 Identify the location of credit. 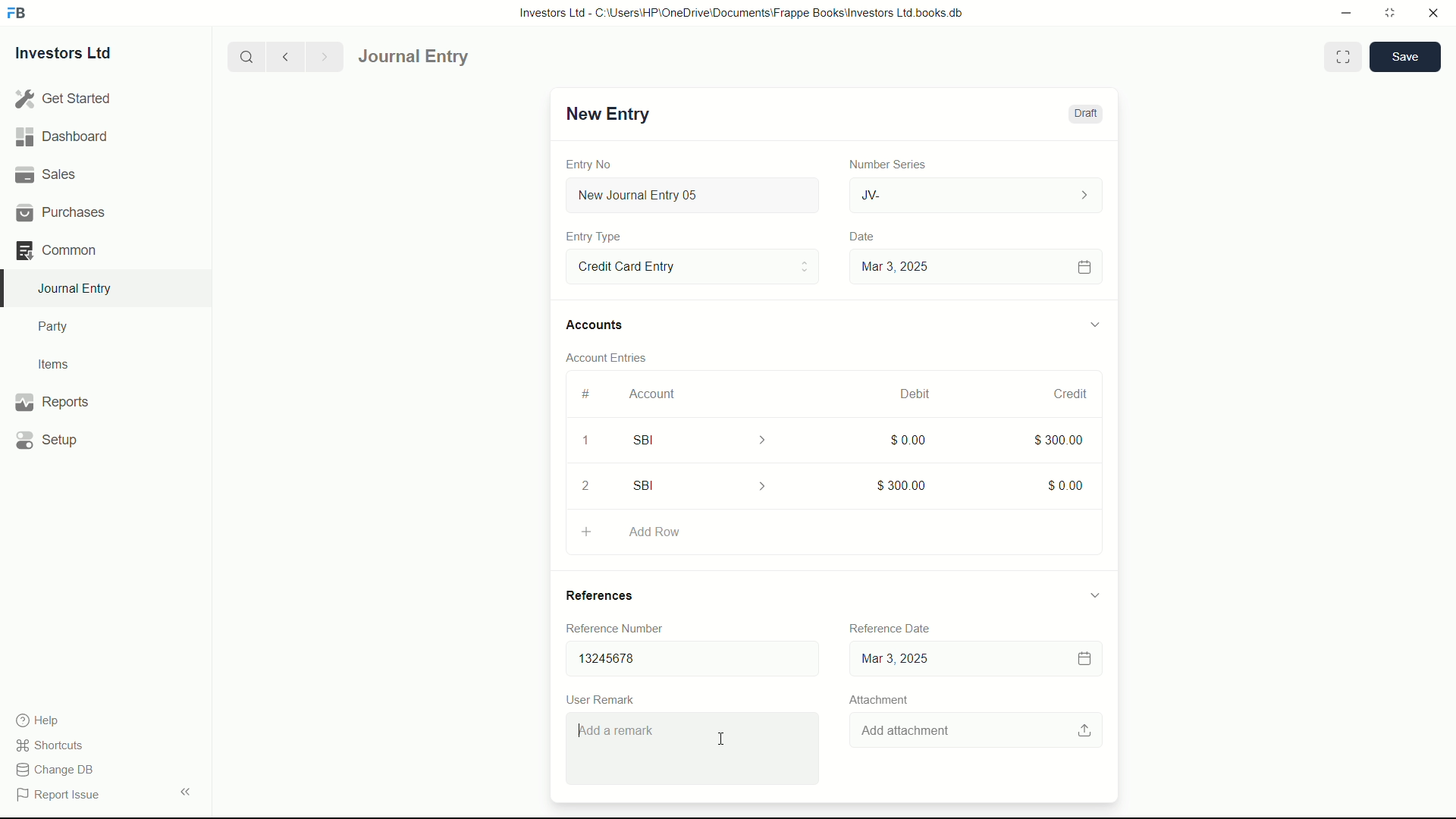
(1072, 394).